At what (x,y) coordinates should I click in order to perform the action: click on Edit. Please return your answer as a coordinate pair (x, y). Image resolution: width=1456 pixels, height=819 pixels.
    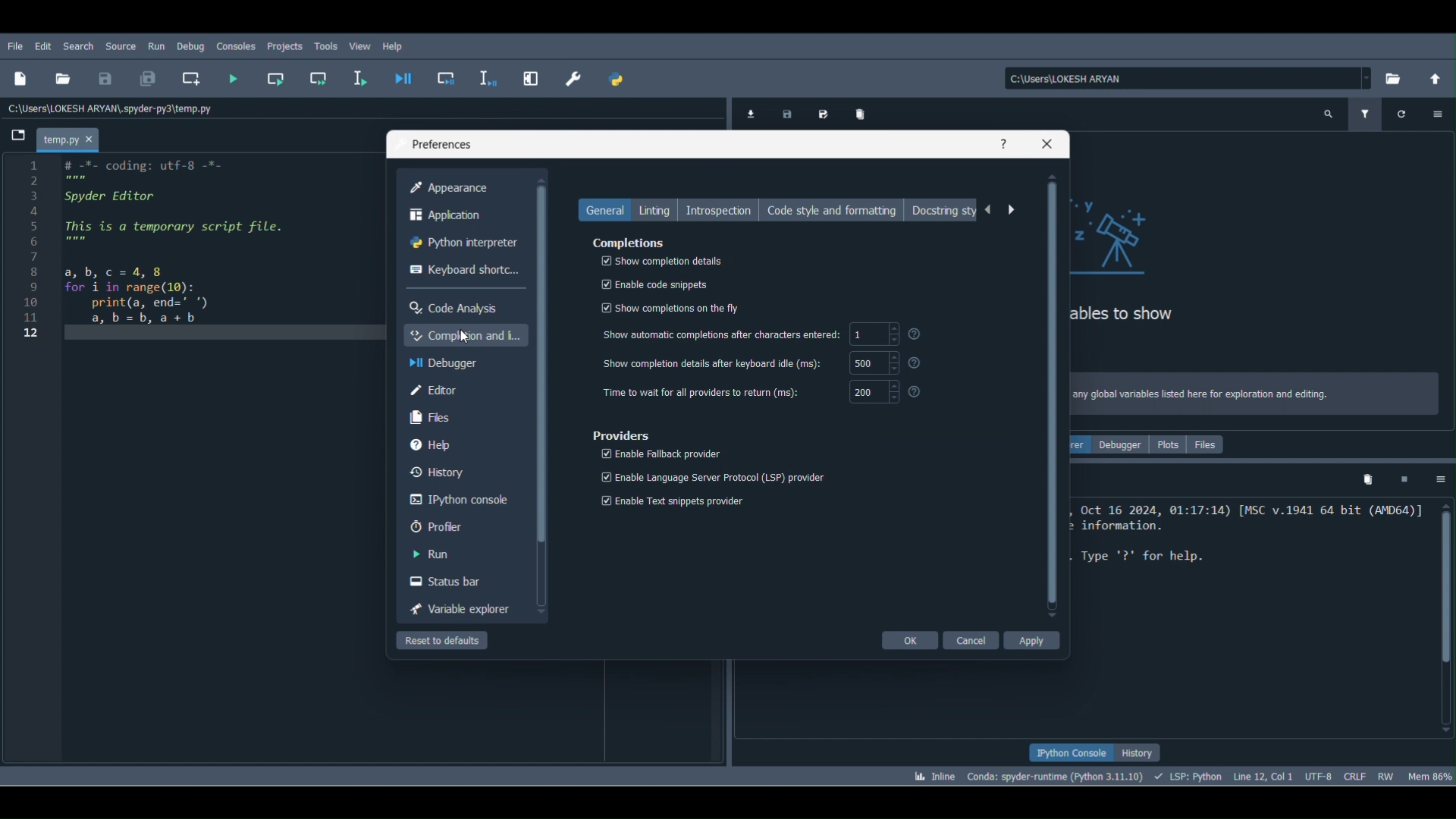
    Looking at the image, I should click on (42, 45).